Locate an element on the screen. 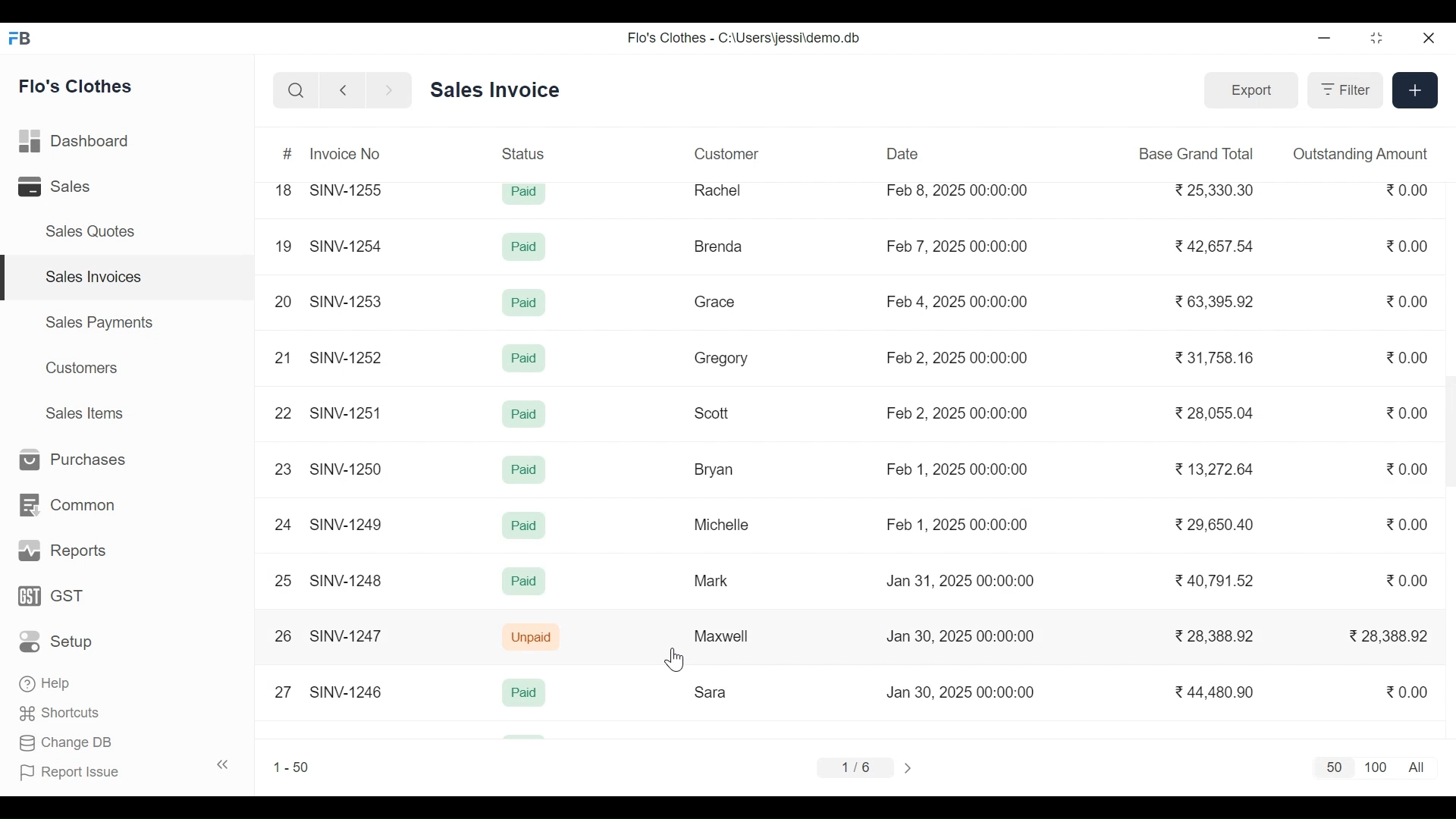 The image size is (1456, 819). Customers is located at coordinates (84, 368).